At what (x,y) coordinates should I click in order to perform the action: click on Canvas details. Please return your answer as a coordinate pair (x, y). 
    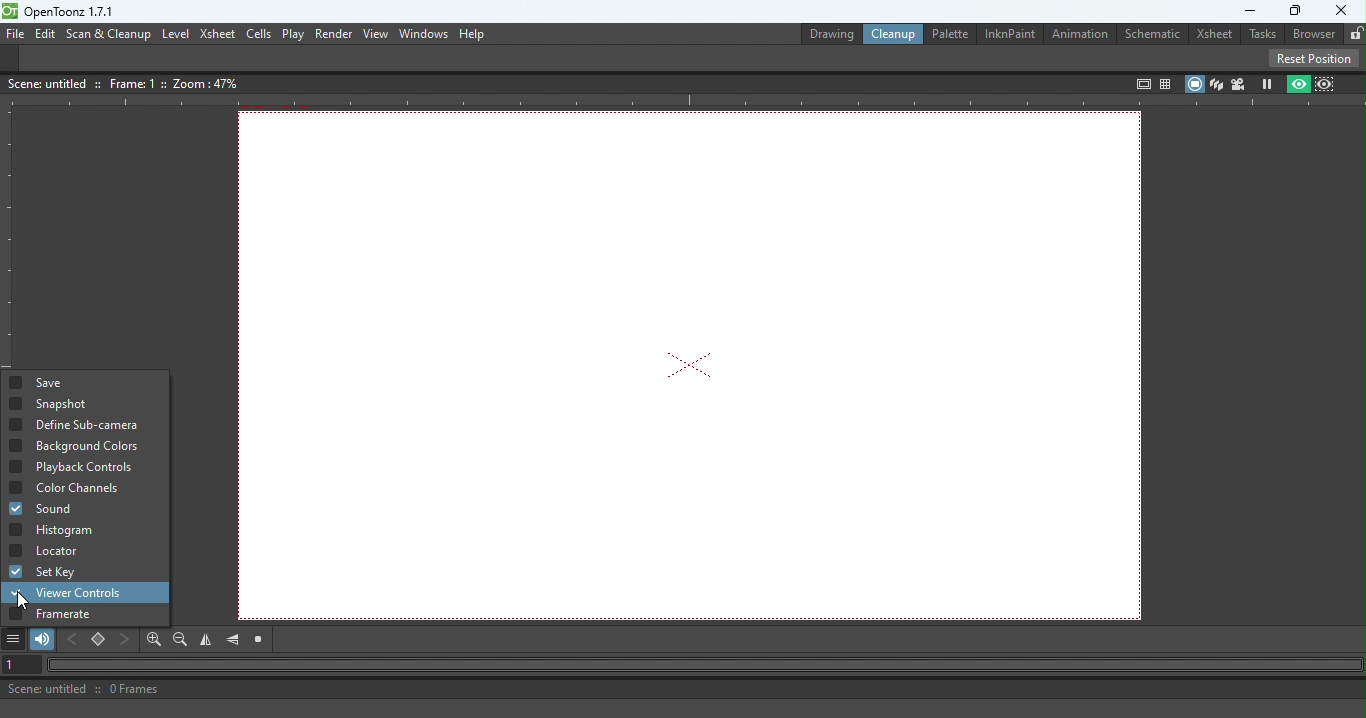
    Looking at the image, I should click on (127, 82).